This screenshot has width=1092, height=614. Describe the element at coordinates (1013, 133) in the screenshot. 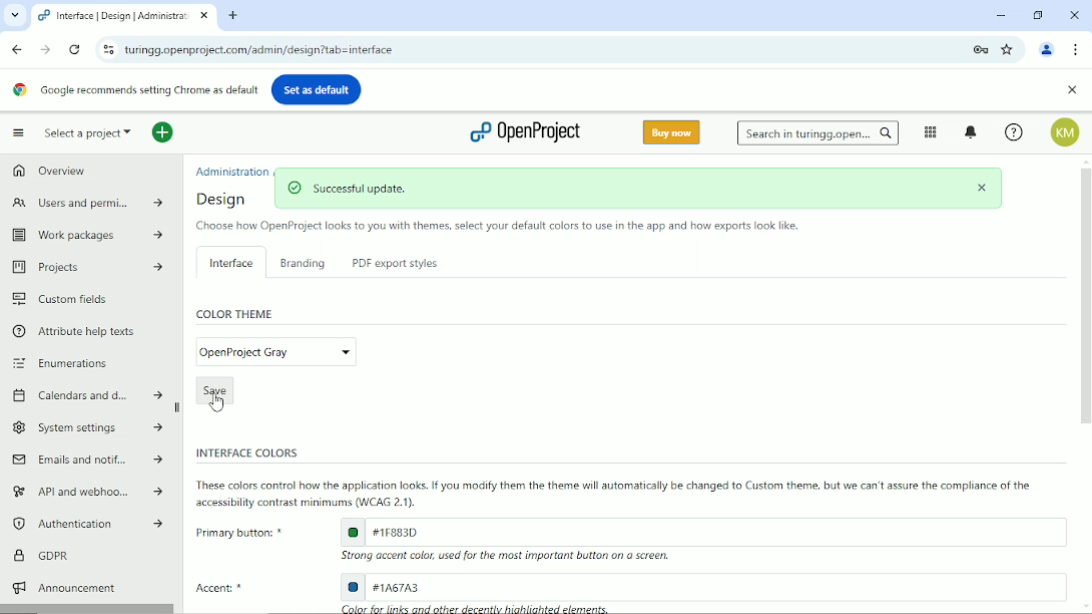

I see `Help` at that location.